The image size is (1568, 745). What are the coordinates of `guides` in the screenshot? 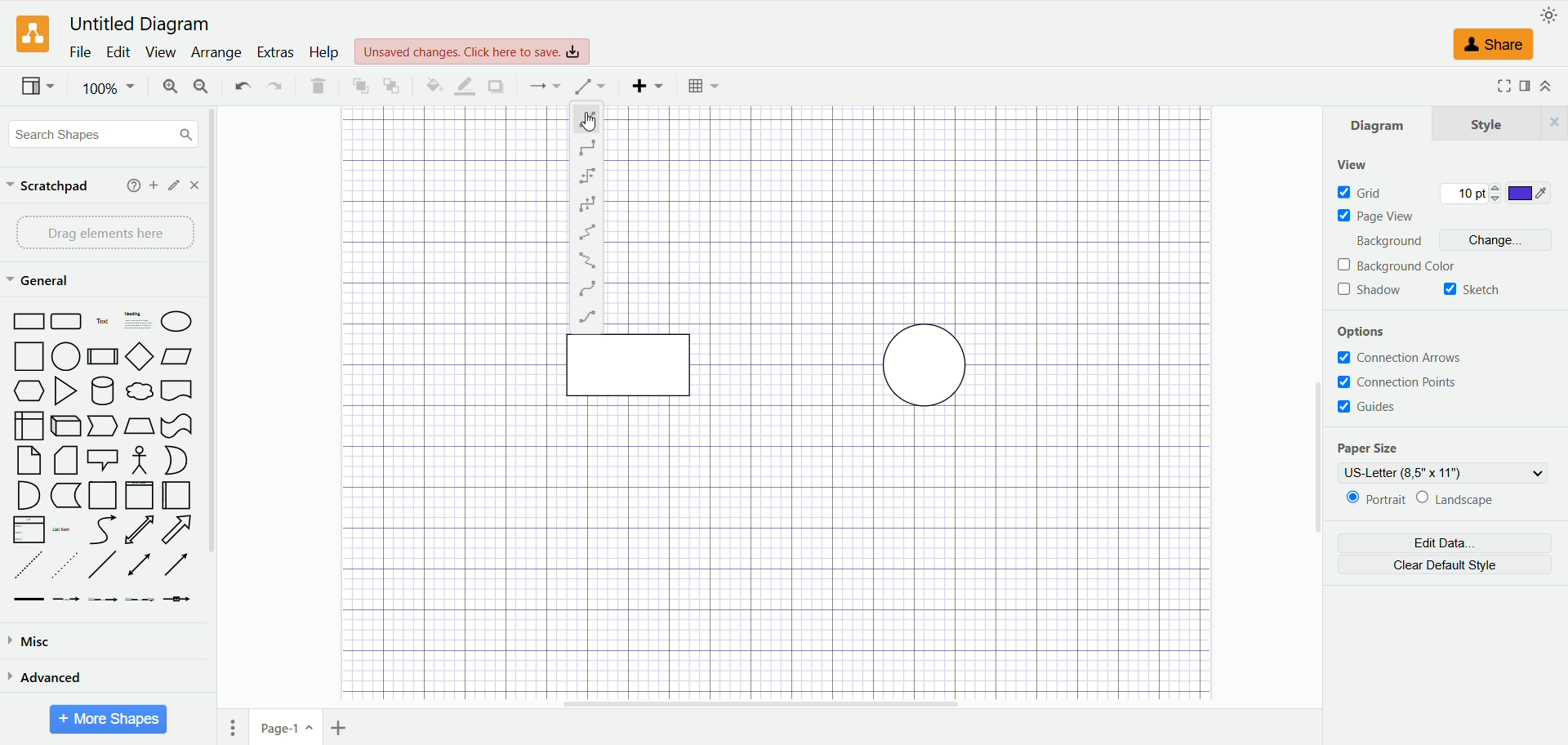 It's located at (1366, 407).